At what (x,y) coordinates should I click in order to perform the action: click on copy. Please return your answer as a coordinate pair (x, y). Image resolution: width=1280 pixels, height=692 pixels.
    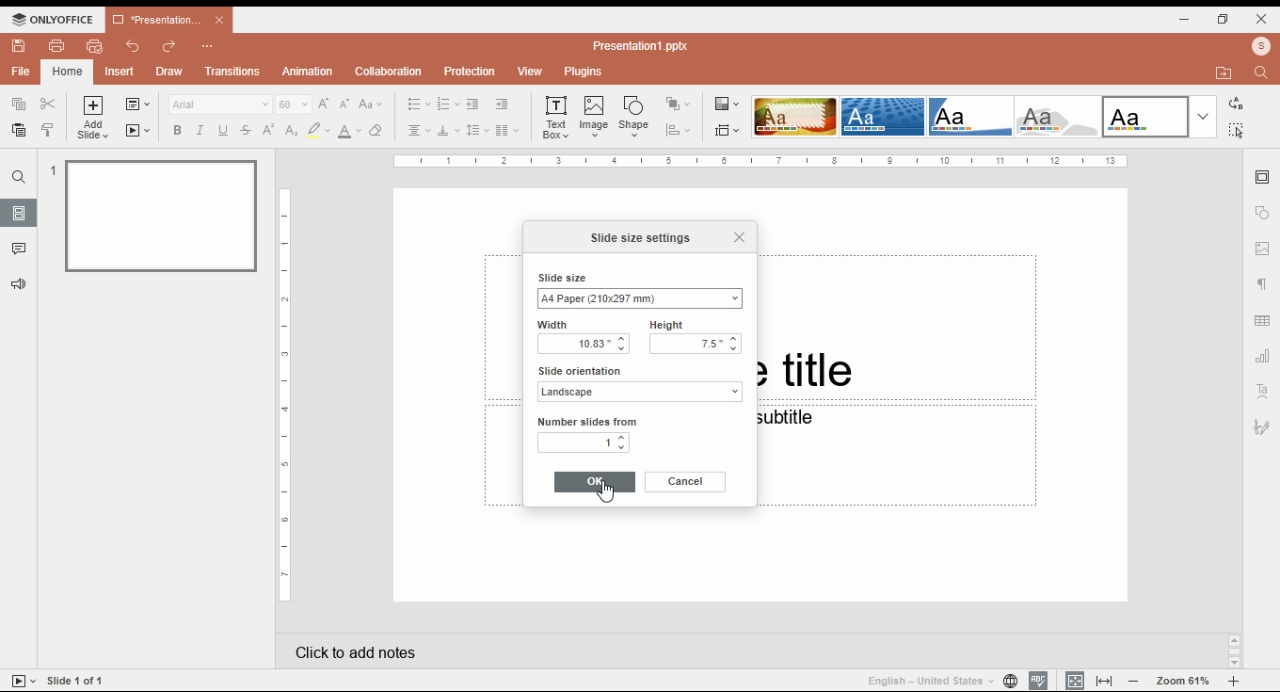
    Looking at the image, I should click on (17, 102).